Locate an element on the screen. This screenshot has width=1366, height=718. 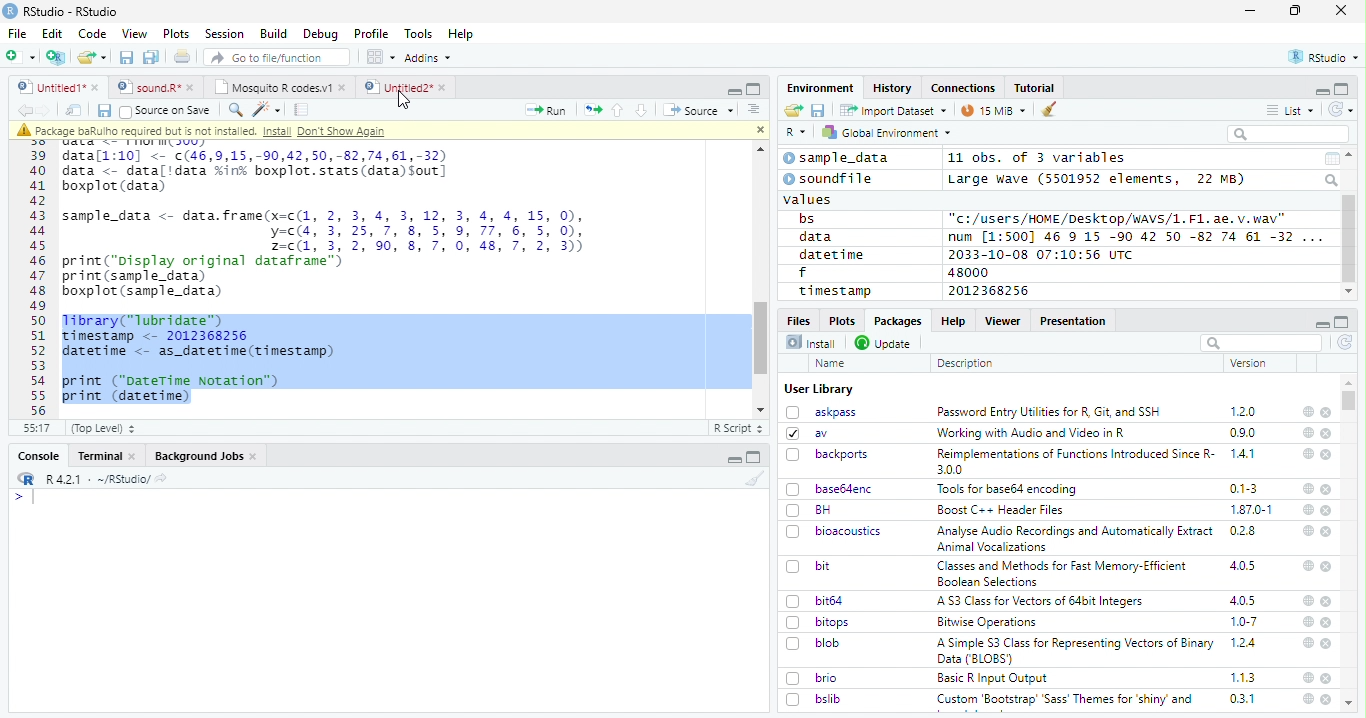
History is located at coordinates (893, 88).